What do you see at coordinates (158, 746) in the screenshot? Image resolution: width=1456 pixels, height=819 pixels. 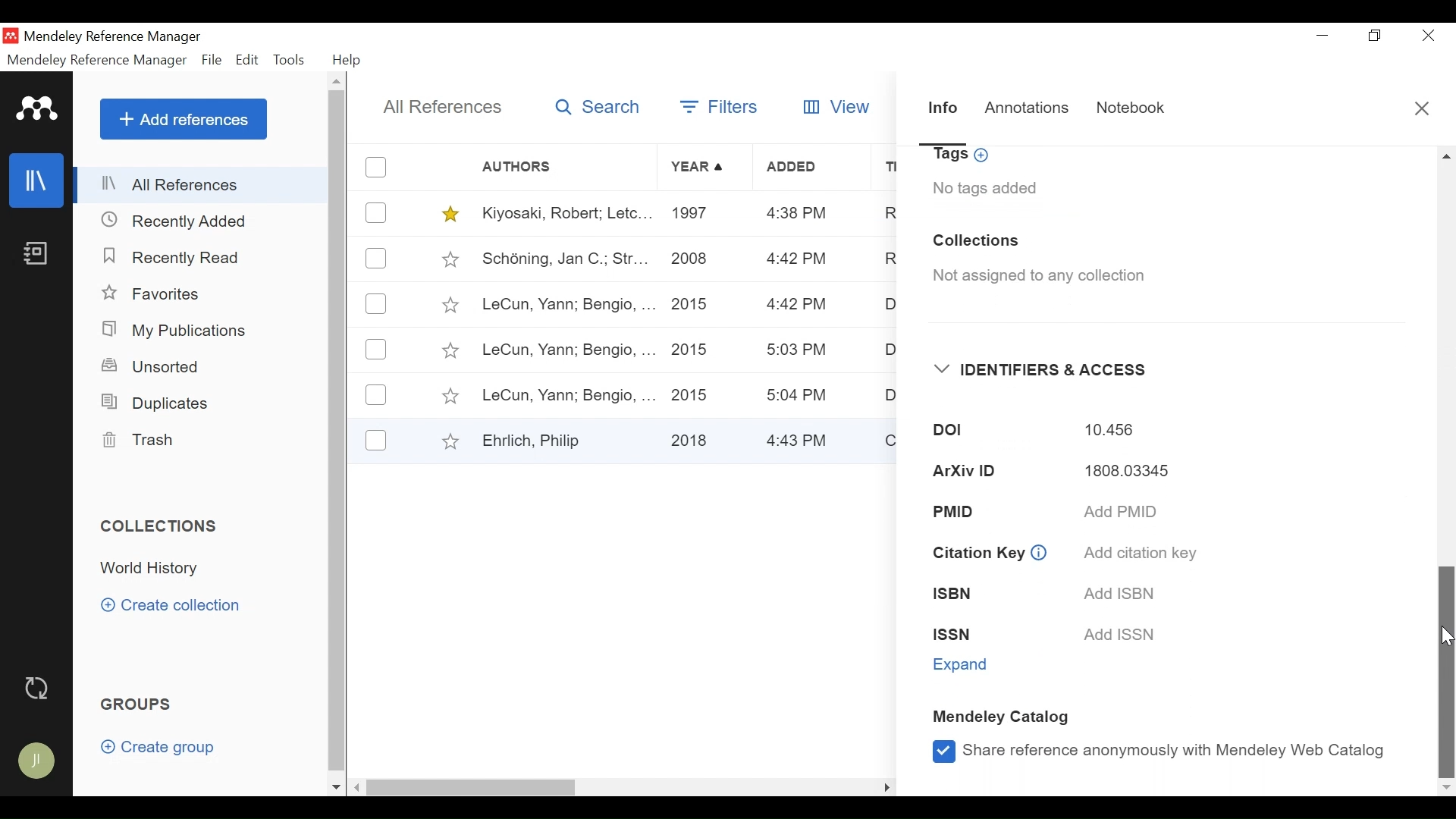 I see `Create group` at bounding box center [158, 746].